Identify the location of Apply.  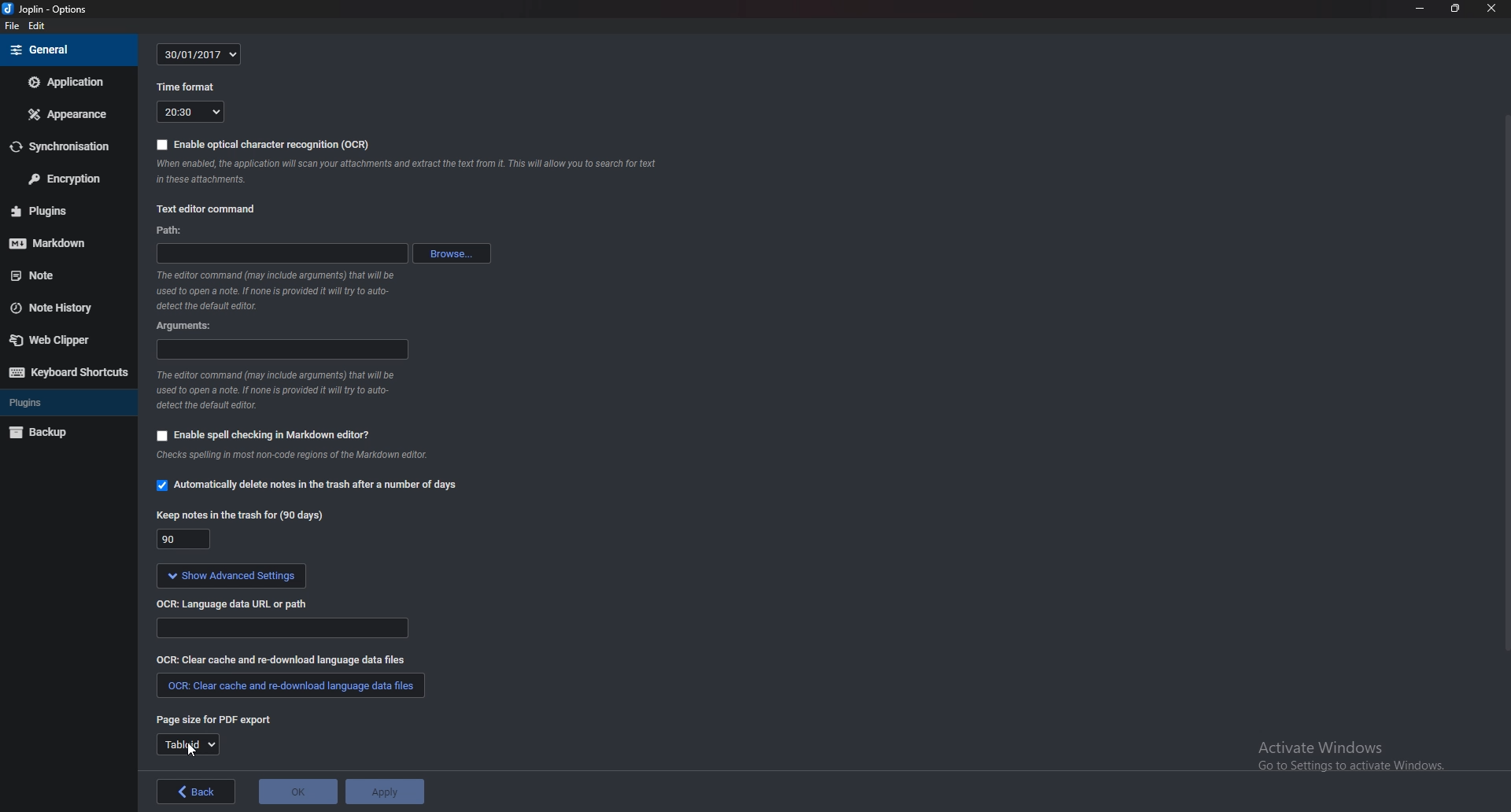
(386, 791).